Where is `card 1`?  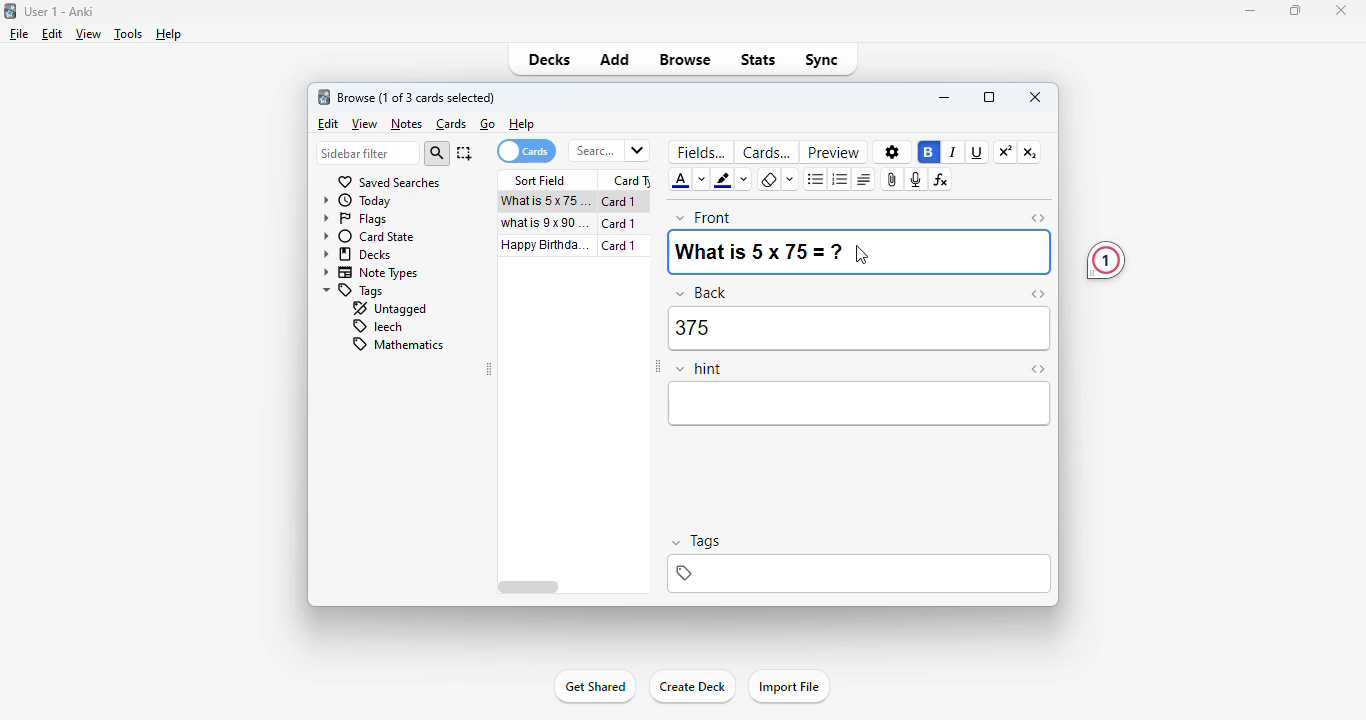 card 1 is located at coordinates (619, 246).